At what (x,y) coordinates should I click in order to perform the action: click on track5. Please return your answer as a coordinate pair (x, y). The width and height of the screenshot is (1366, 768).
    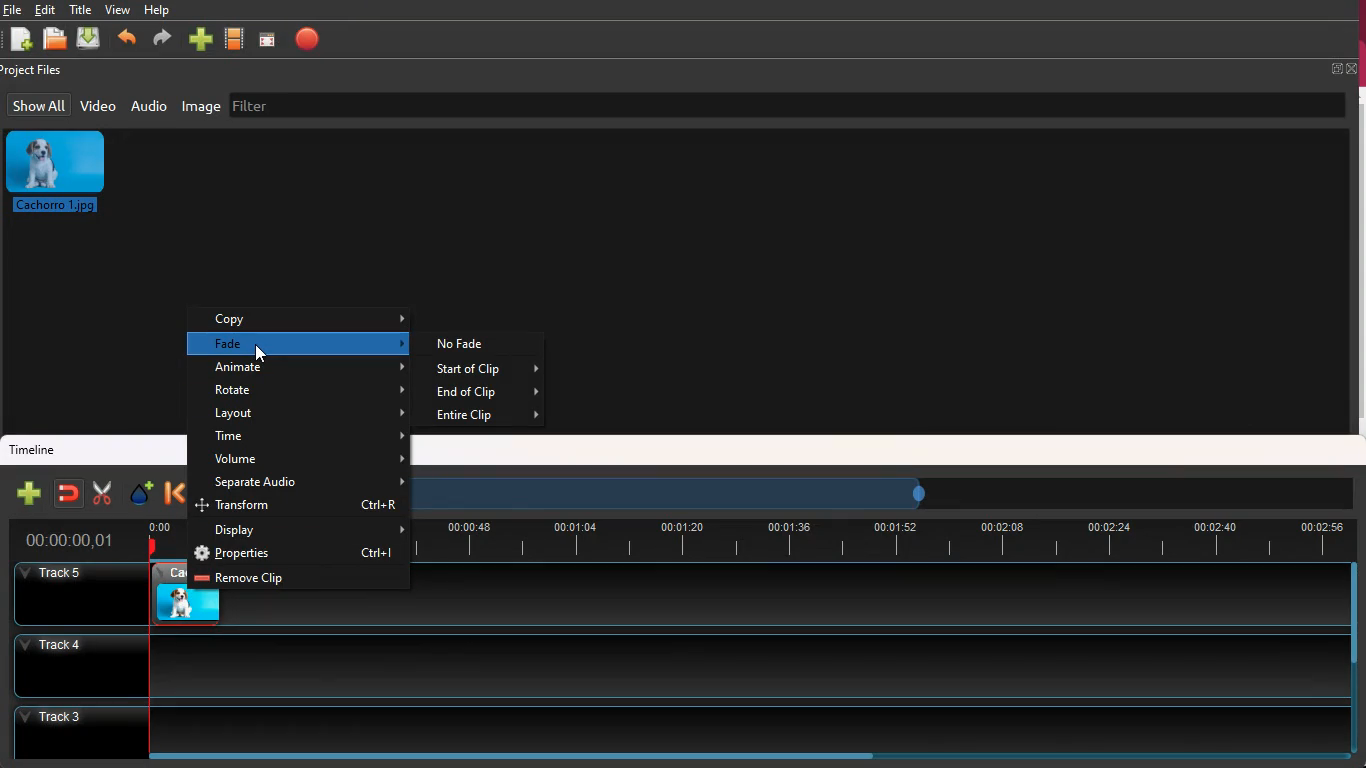
    Looking at the image, I should click on (878, 595).